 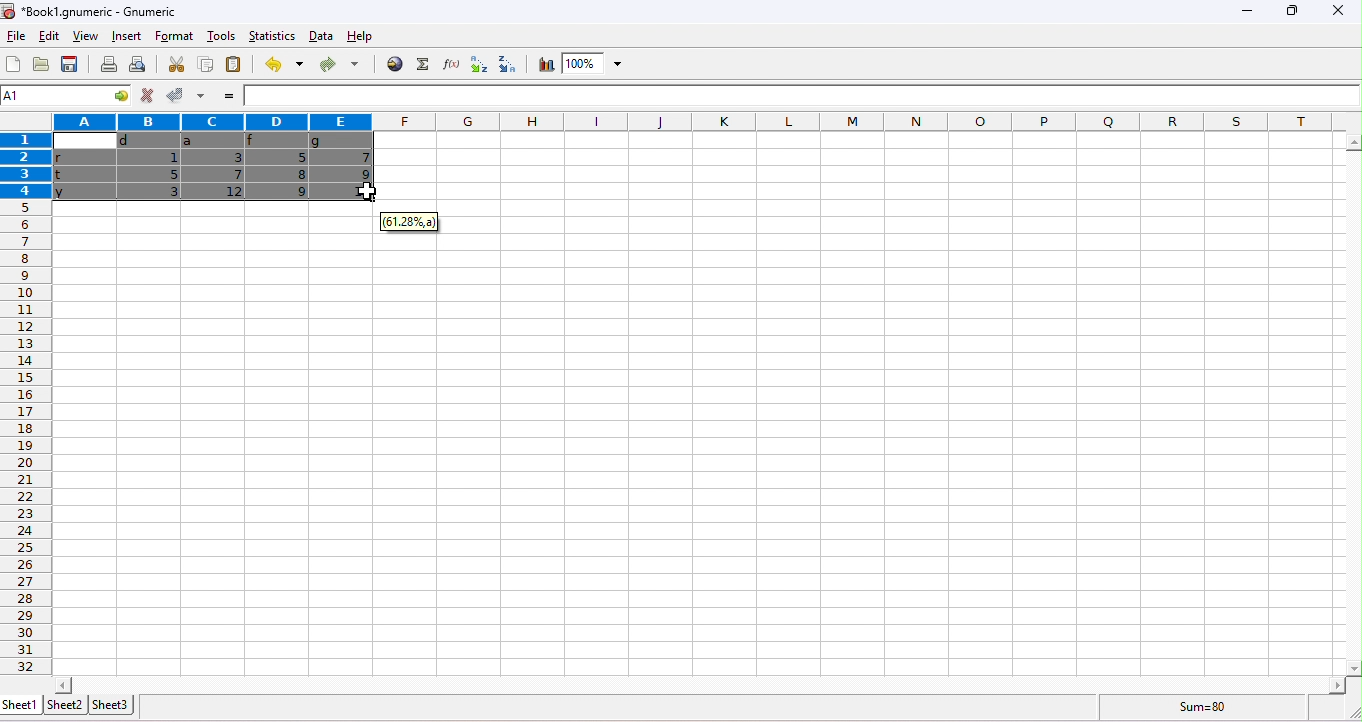 What do you see at coordinates (12, 64) in the screenshot?
I see `new` at bounding box center [12, 64].